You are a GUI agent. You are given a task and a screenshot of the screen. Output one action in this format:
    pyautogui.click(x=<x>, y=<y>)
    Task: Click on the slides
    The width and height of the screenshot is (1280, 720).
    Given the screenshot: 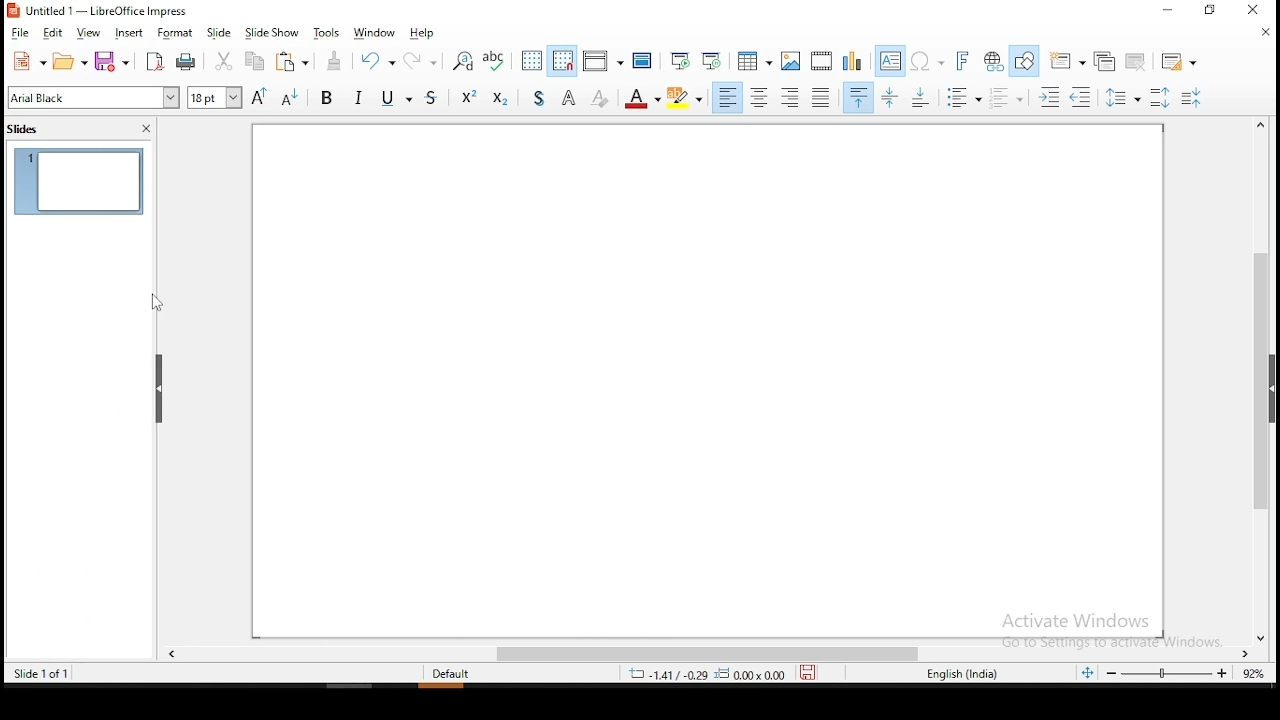 What is the action you would take?
    pyautogui.click(x=28, y=134)
    